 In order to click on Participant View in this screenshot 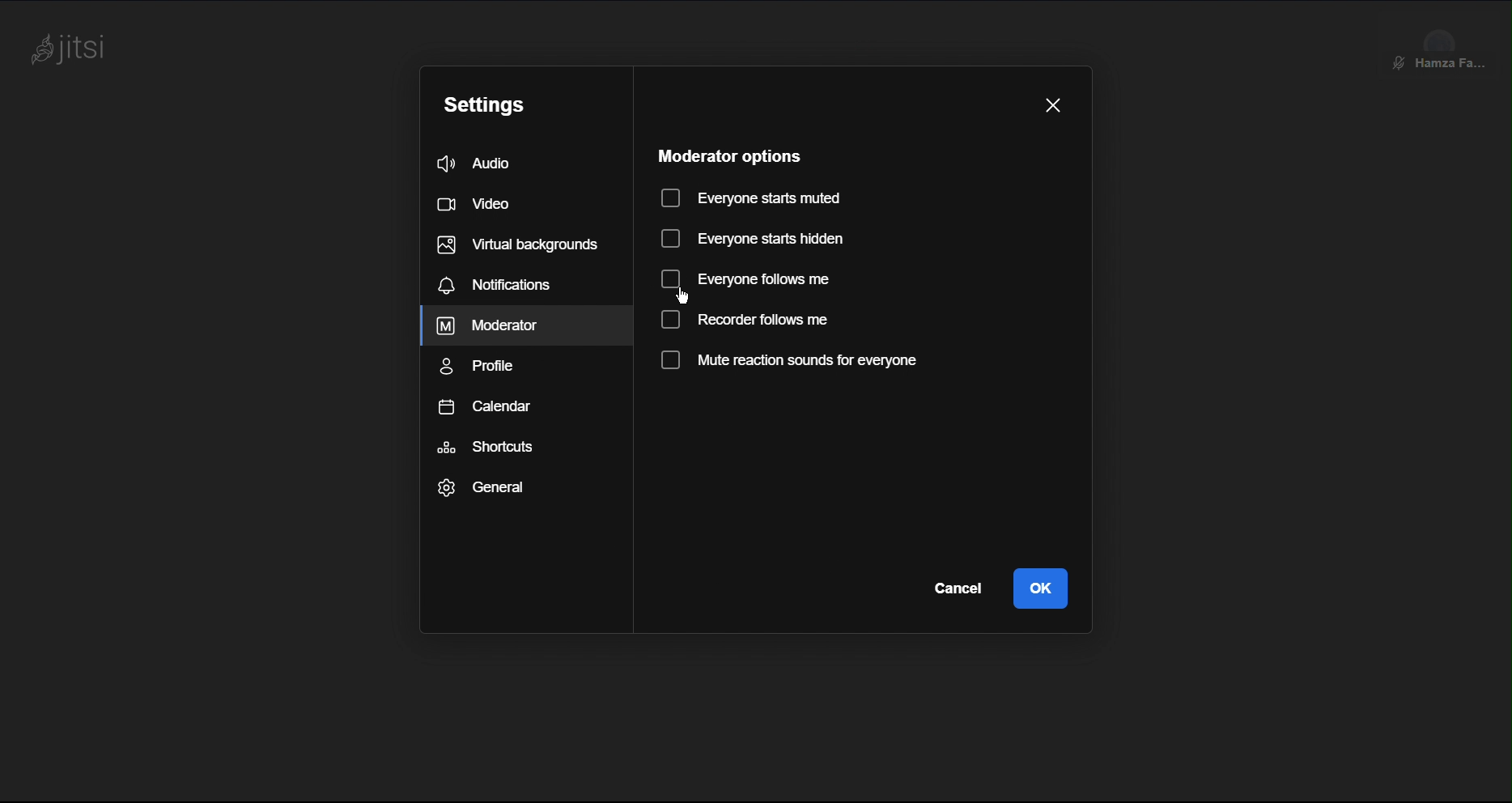, I will do `click(1445, 40)`.